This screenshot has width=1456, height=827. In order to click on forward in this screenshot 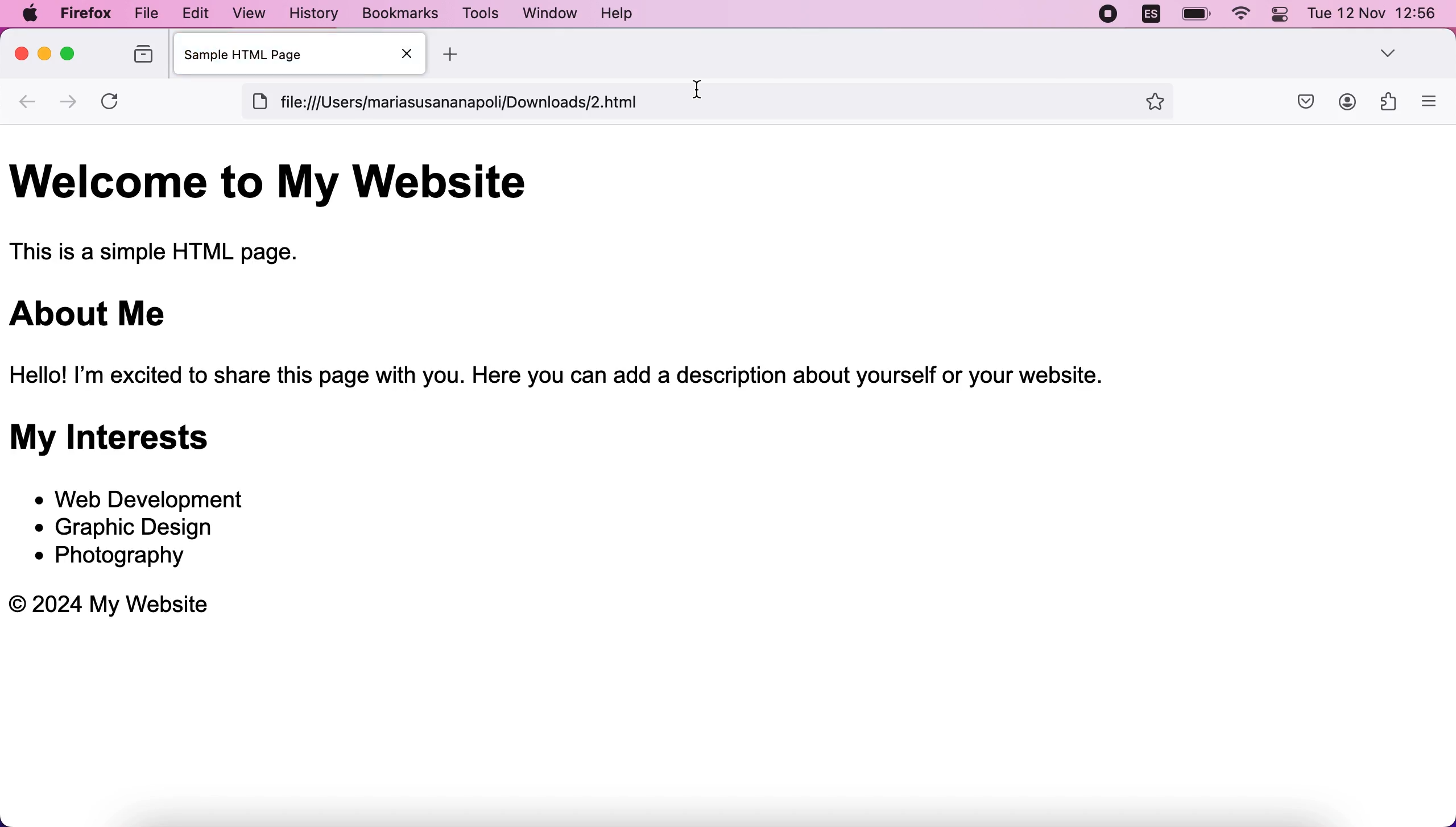, I will do `click(72, 102)`.